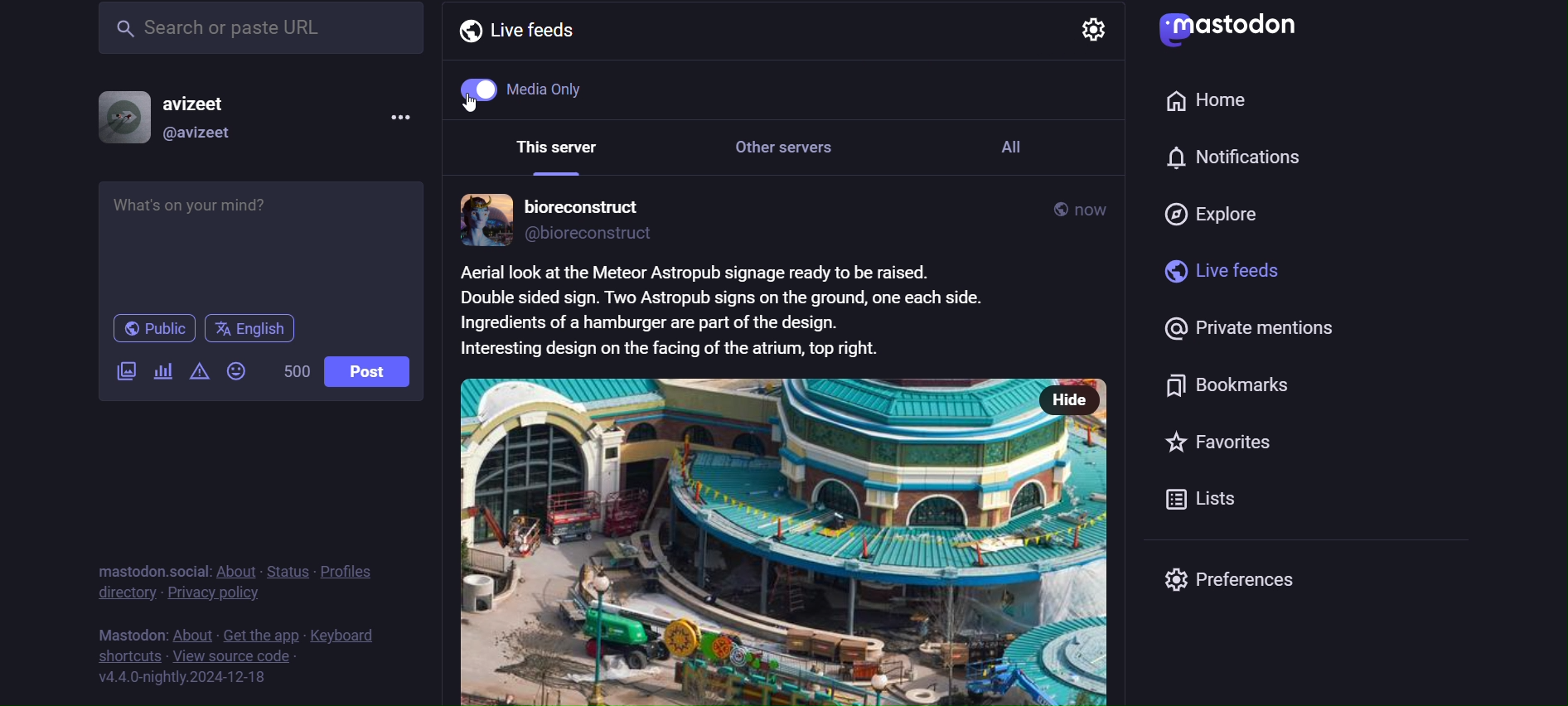  Describe the element at coordinates (123, 372) in the screenshot. I see `add image` at that location.